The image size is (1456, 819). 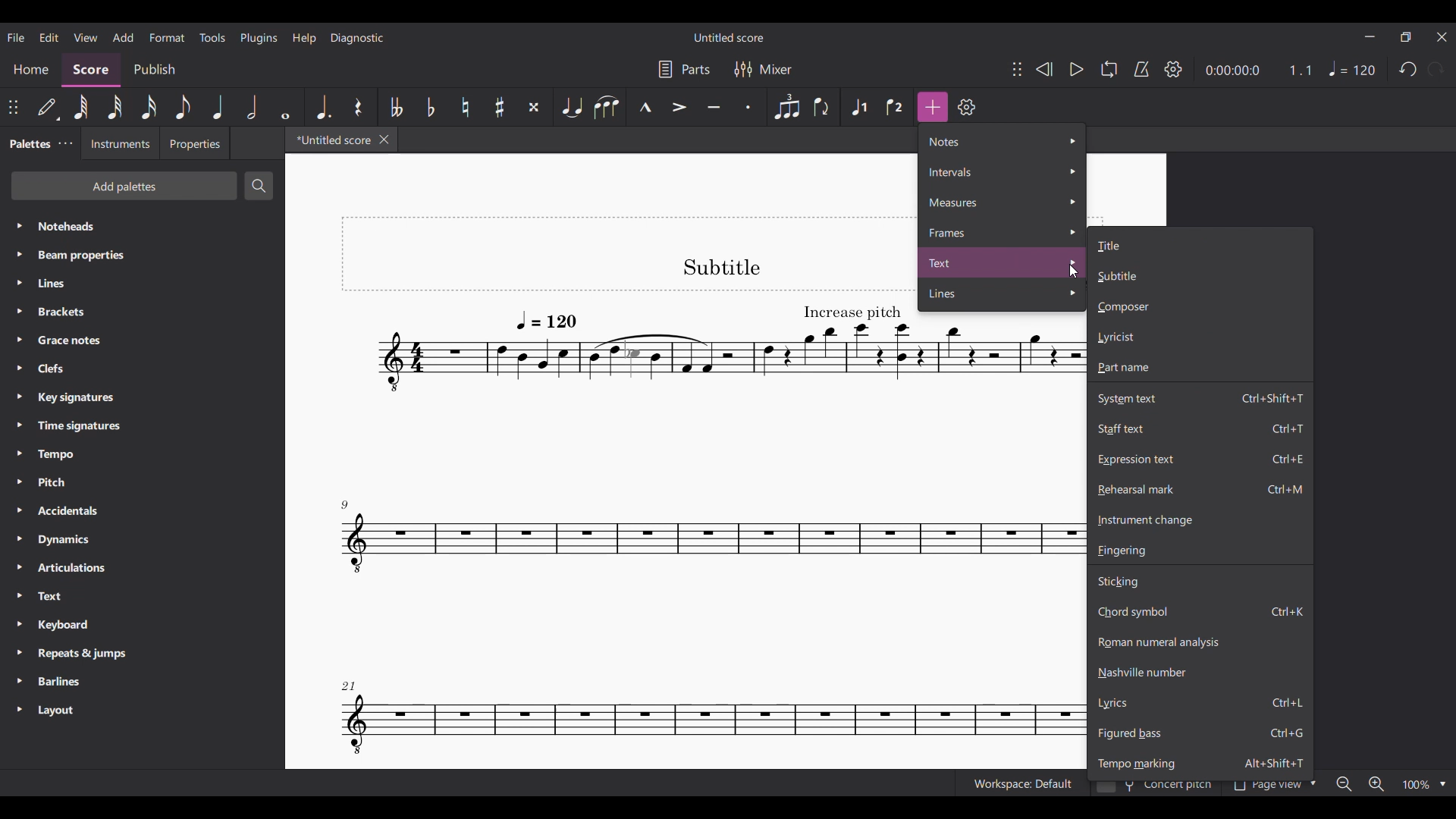 What do you see at coordinates (142, 510) in the screenshot?
I see `Accidentals` at bounding box center [142, 510].